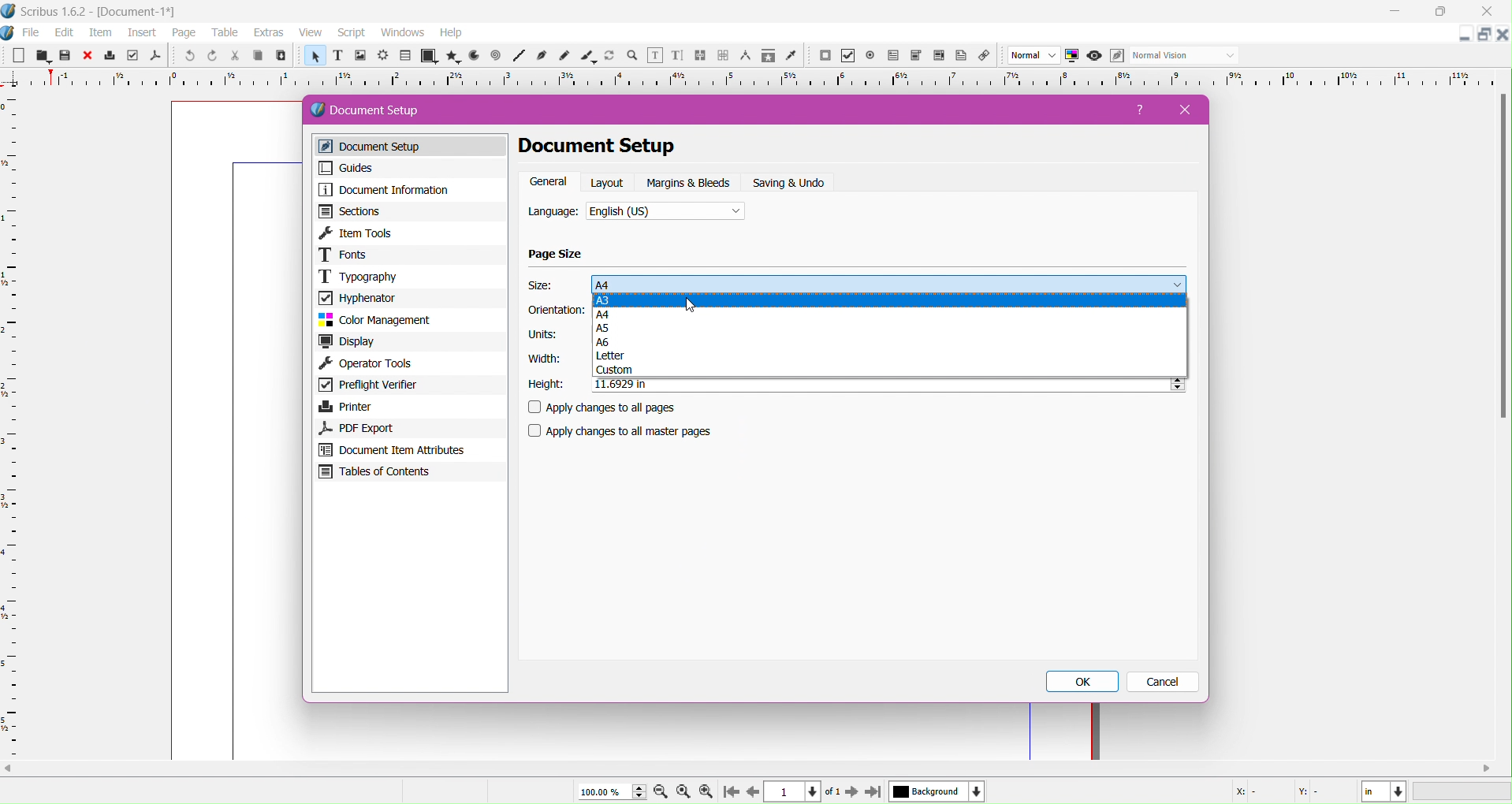  Describe the element at coordinates (566, 57) in the screenshot. I see `freehand line` at that location.